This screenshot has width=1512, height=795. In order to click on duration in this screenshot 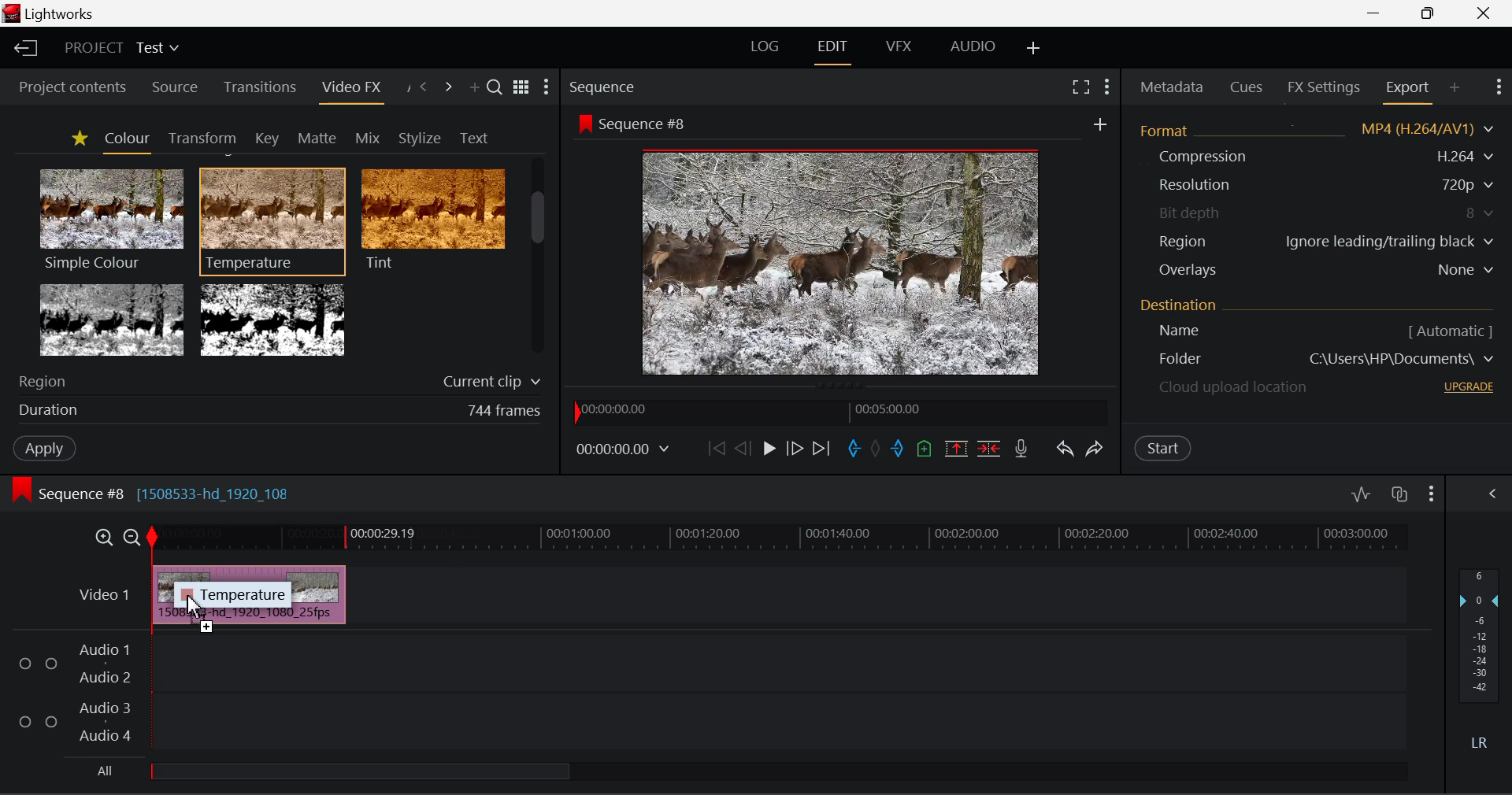, I will do `click(44, 411)`.